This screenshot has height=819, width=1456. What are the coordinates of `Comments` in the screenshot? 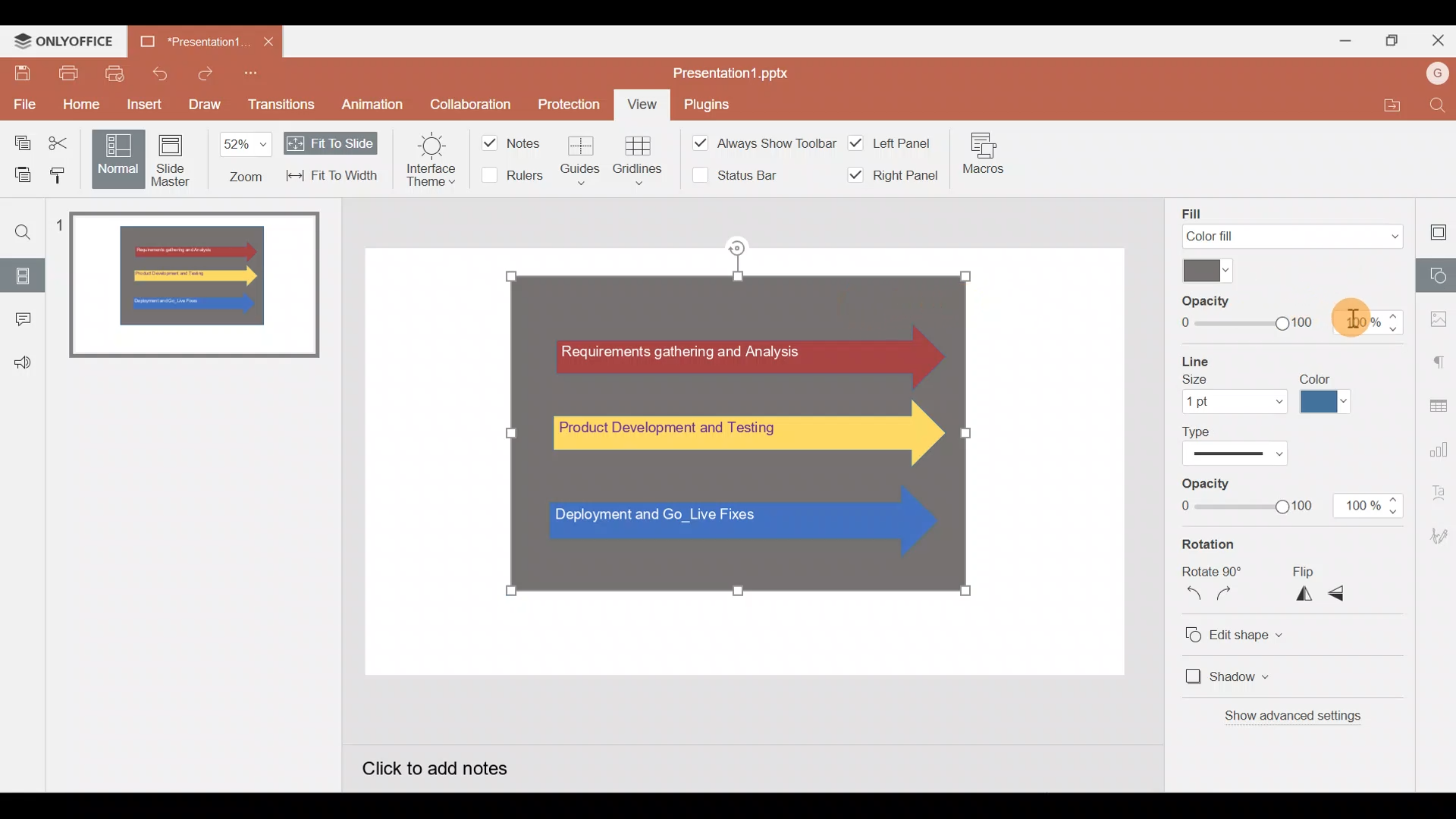 It's located at (24, 315).